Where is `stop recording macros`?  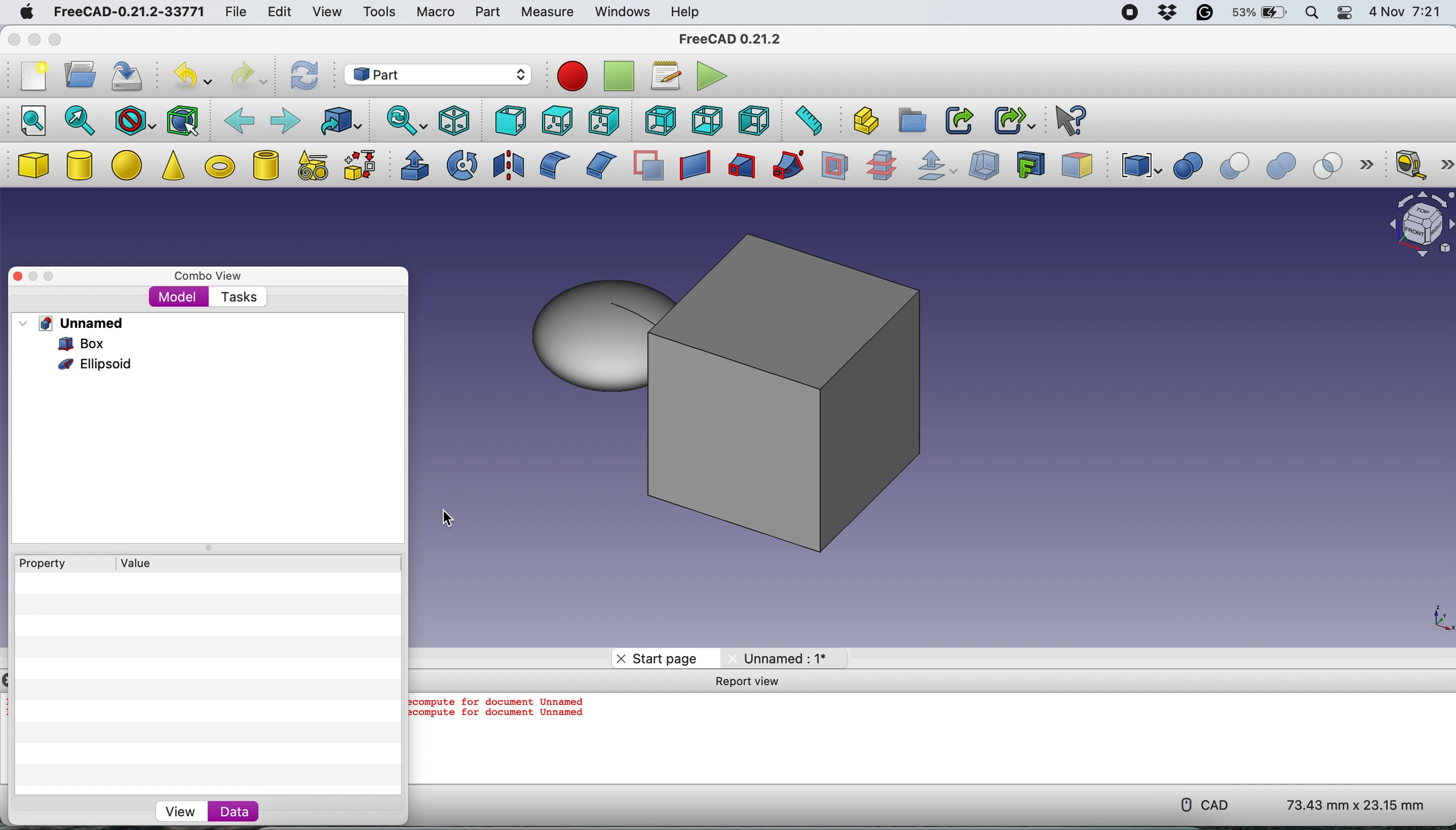
stop recording macros is located at coordinates (621, 77).